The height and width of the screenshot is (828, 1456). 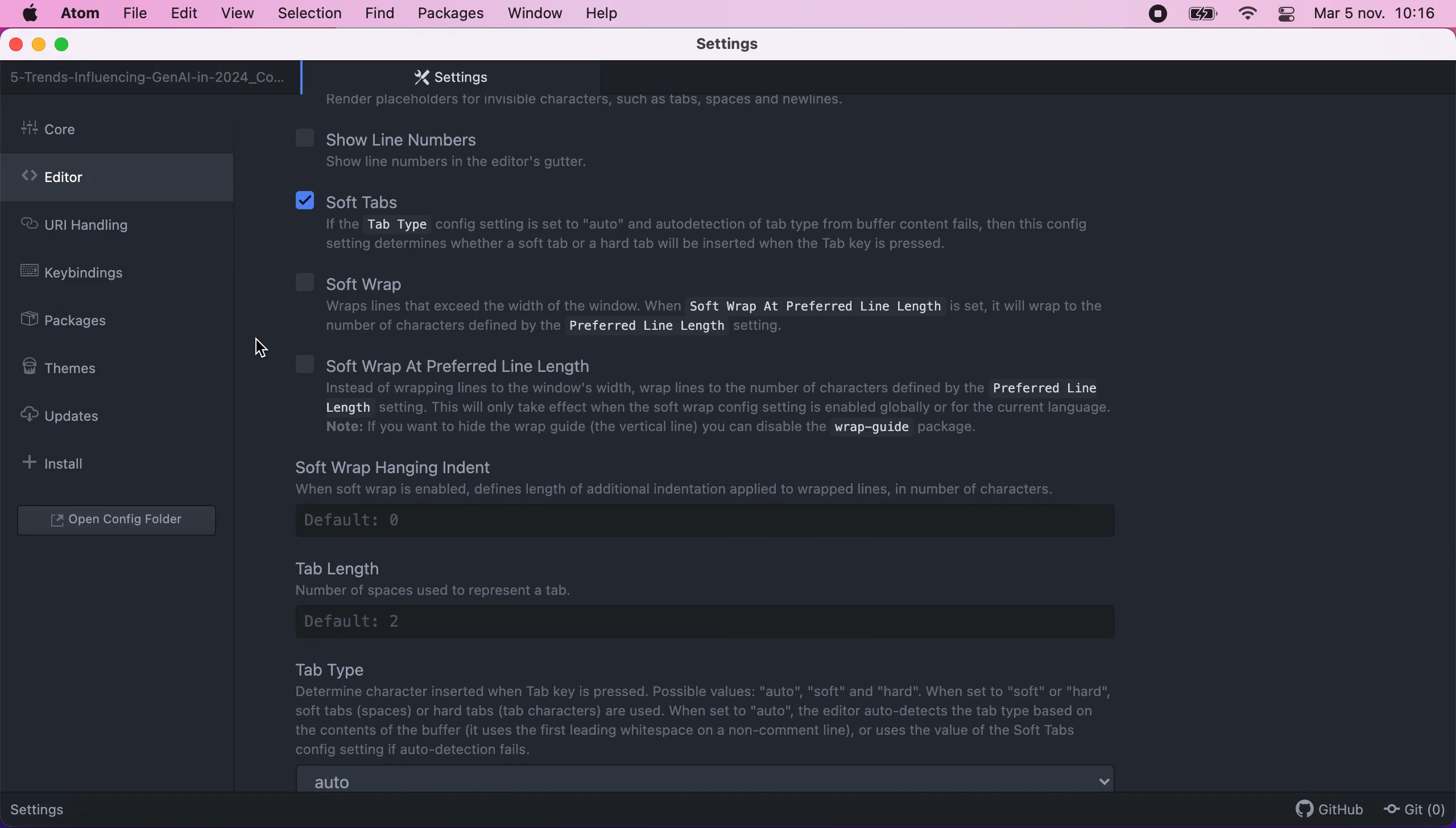 I want to click on mac logo, so click(x=29, y=14).